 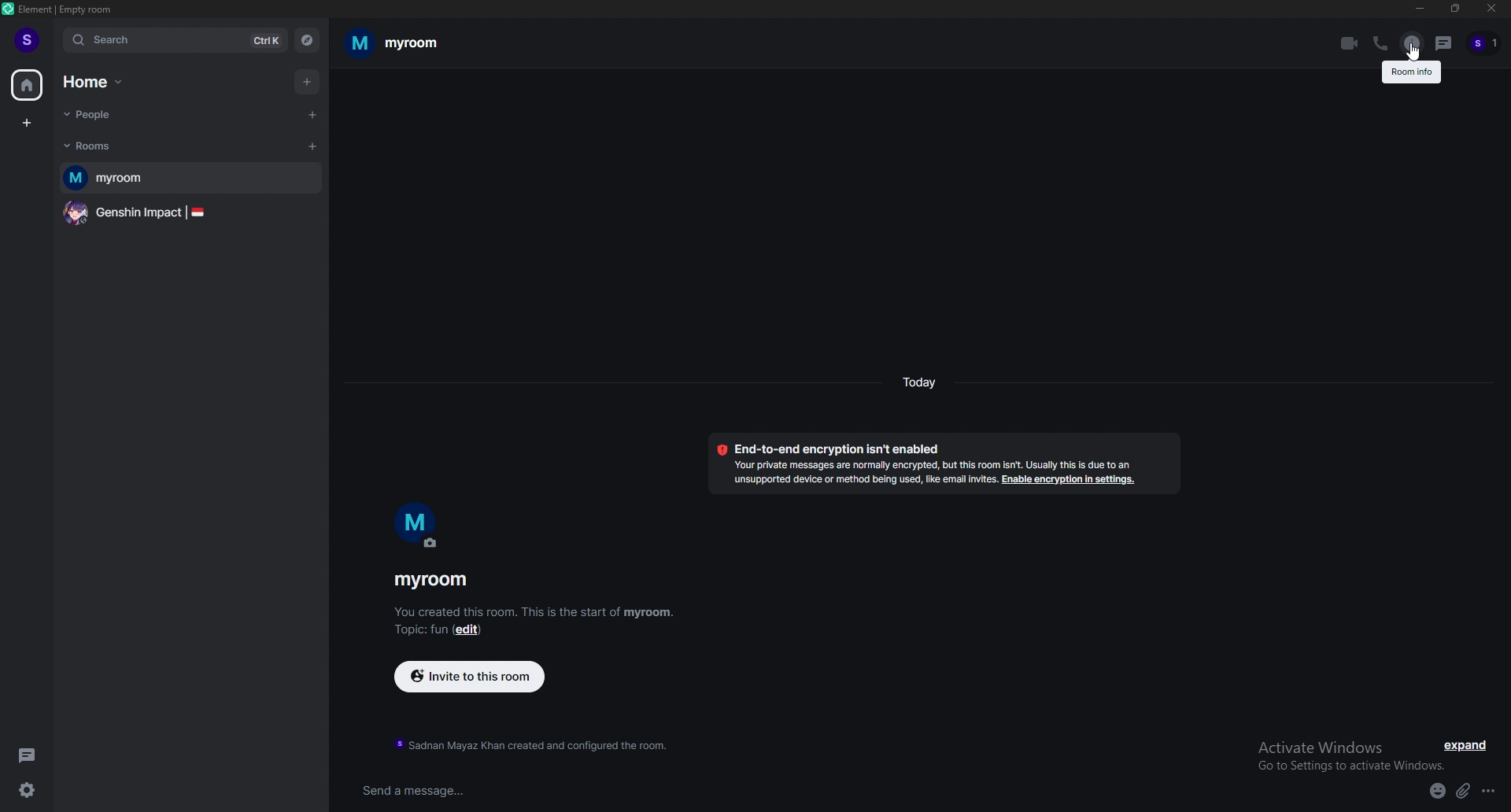 What do you see at coordinates (416, 527) in the screenshot?
I see `m` at bounding box center [416, 527].